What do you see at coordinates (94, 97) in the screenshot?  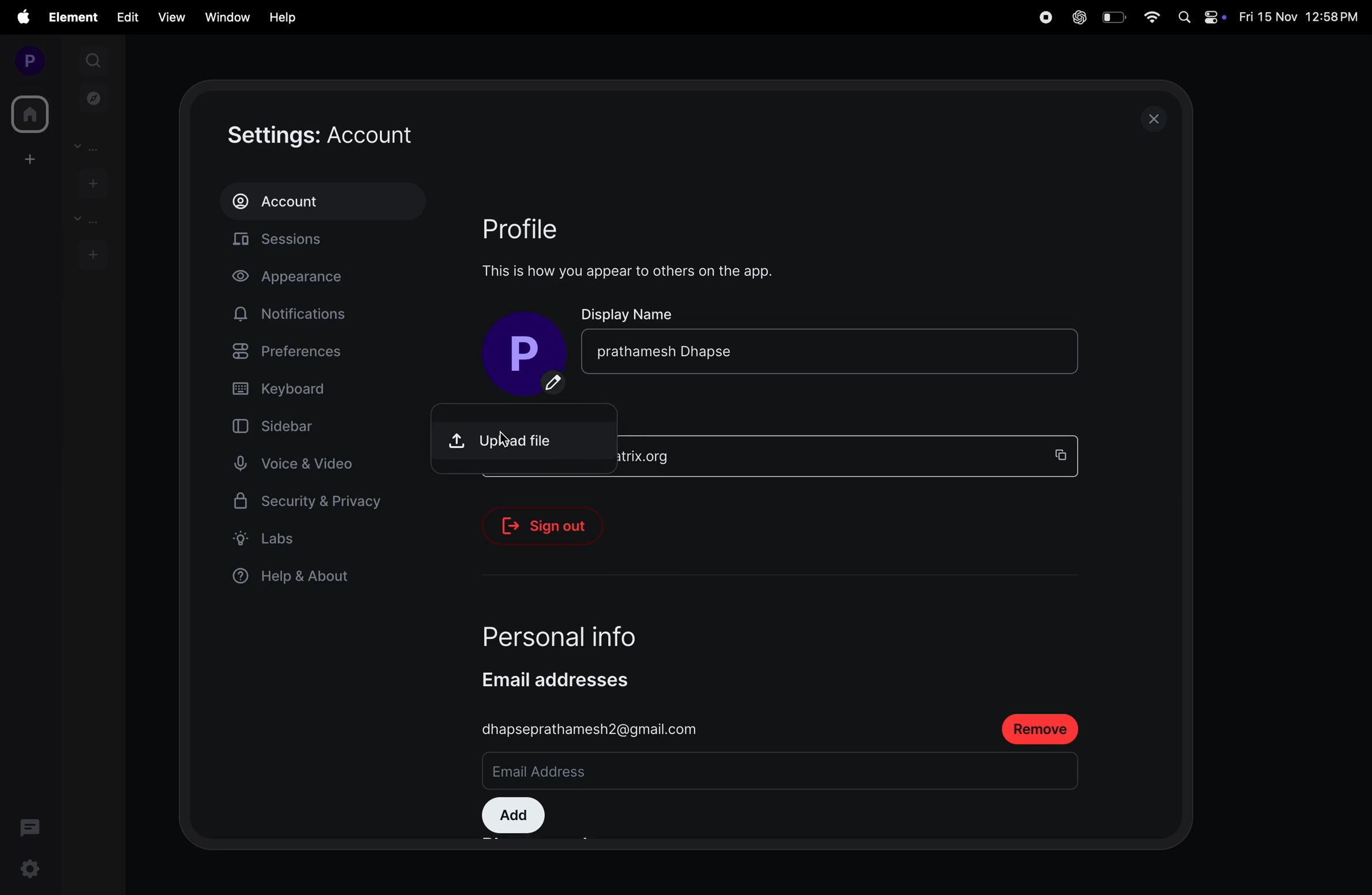 I see `explore` at bounding box center [94, 97].